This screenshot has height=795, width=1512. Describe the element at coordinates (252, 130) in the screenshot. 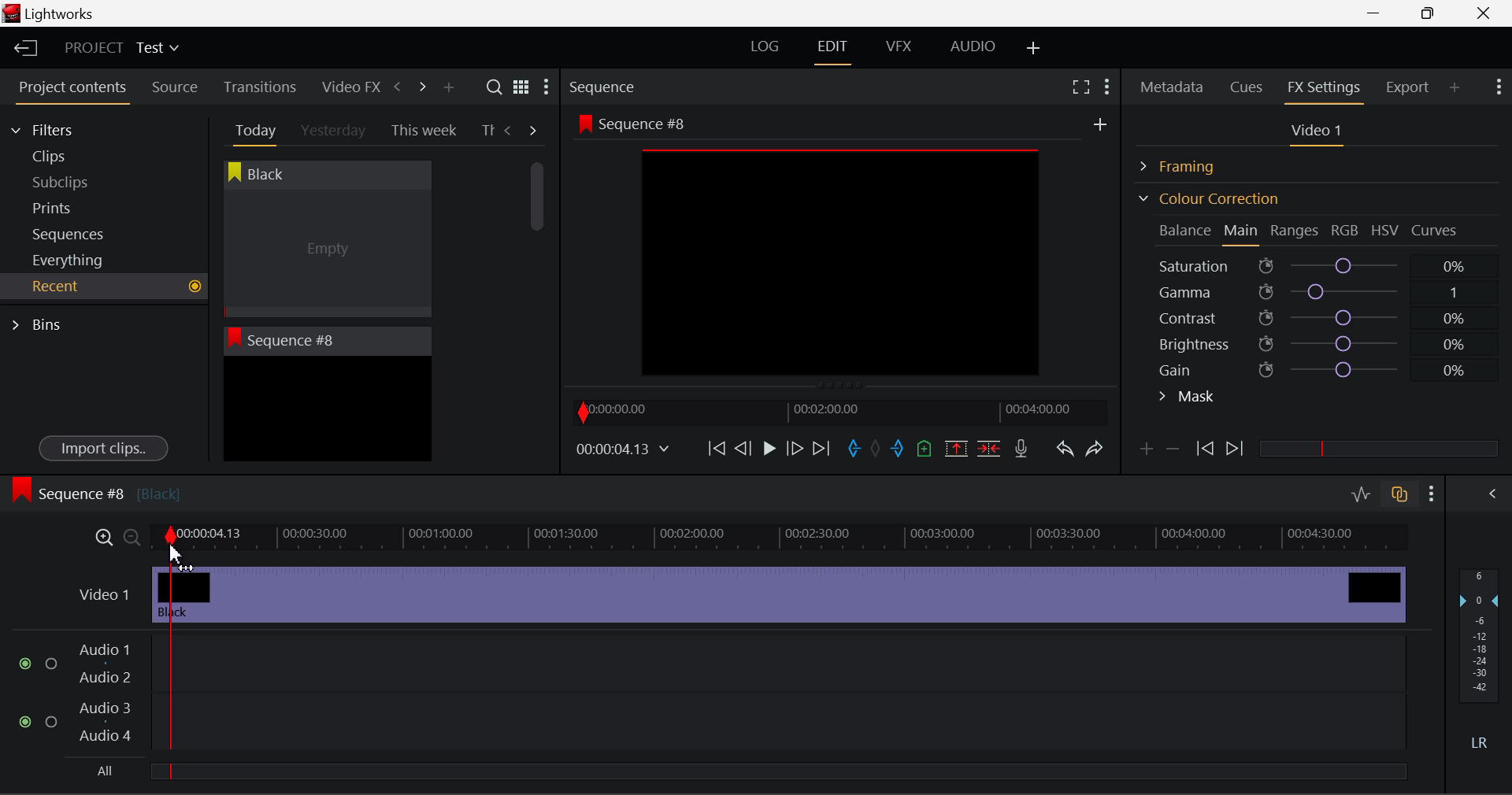

I see `Today Tab Open` at that location.